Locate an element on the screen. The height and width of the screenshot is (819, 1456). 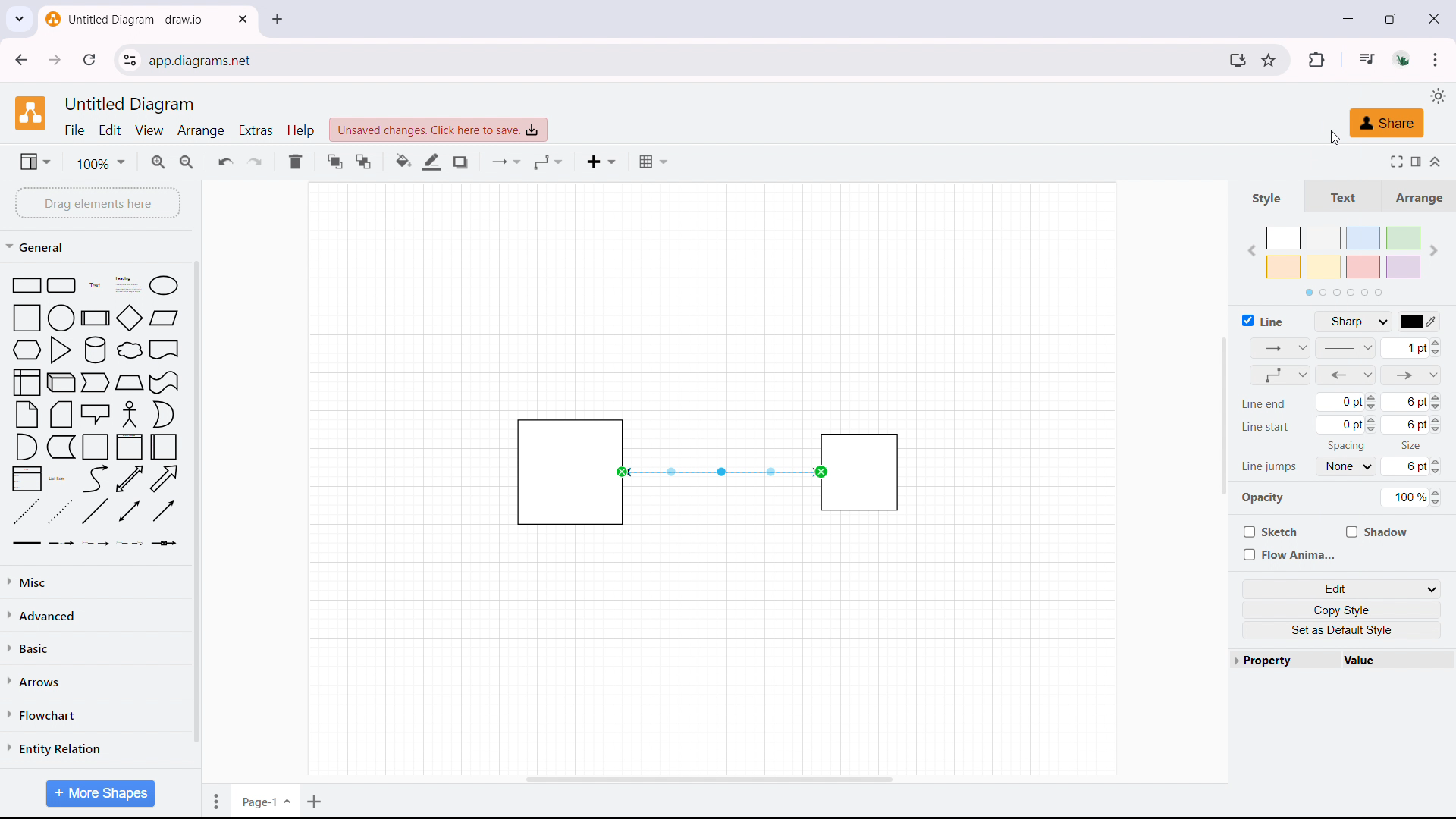
media control is located at coordinates (1365, 58).